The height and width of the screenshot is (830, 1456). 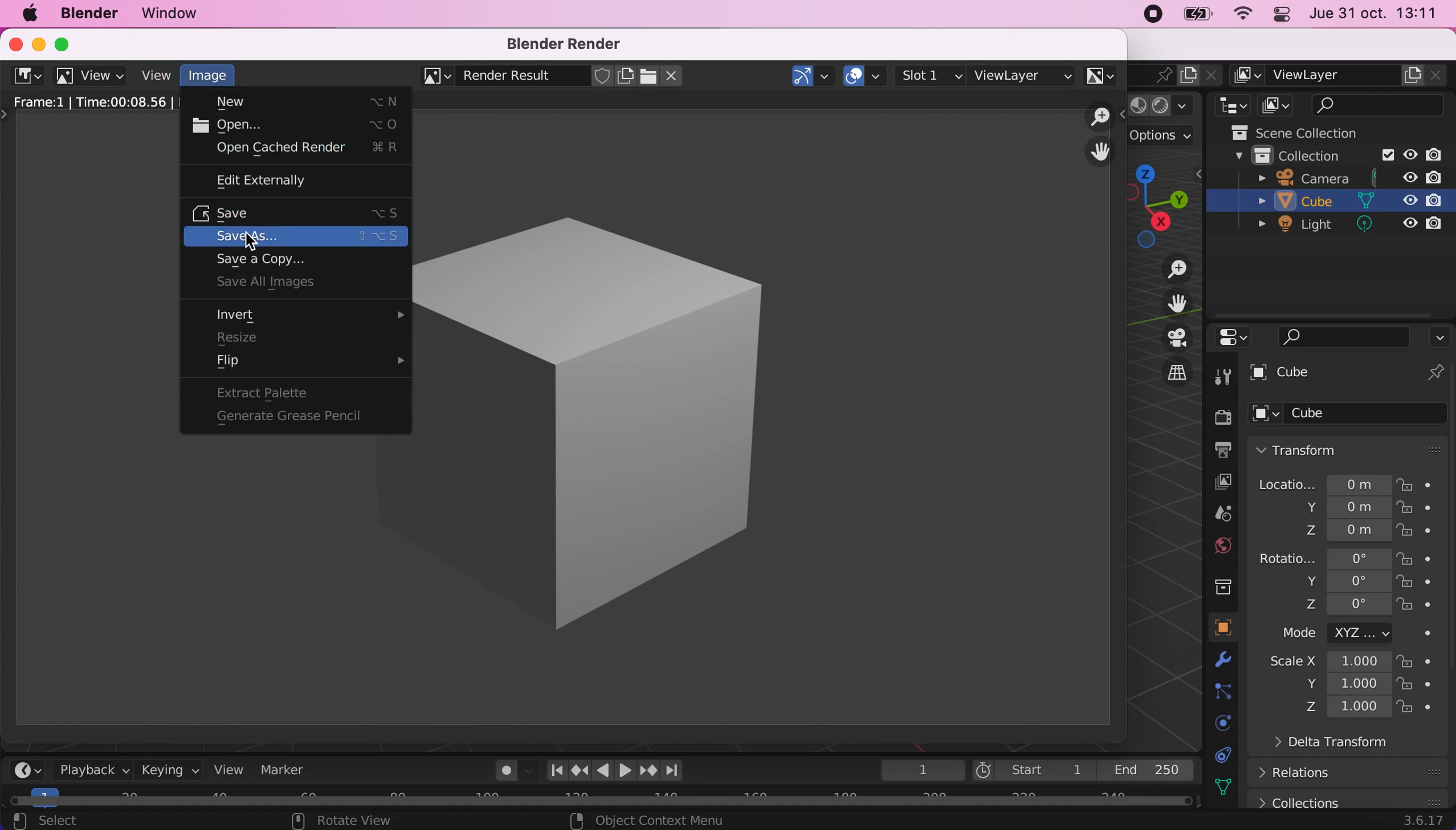 I want to click on window, so click(x=184, y=14).